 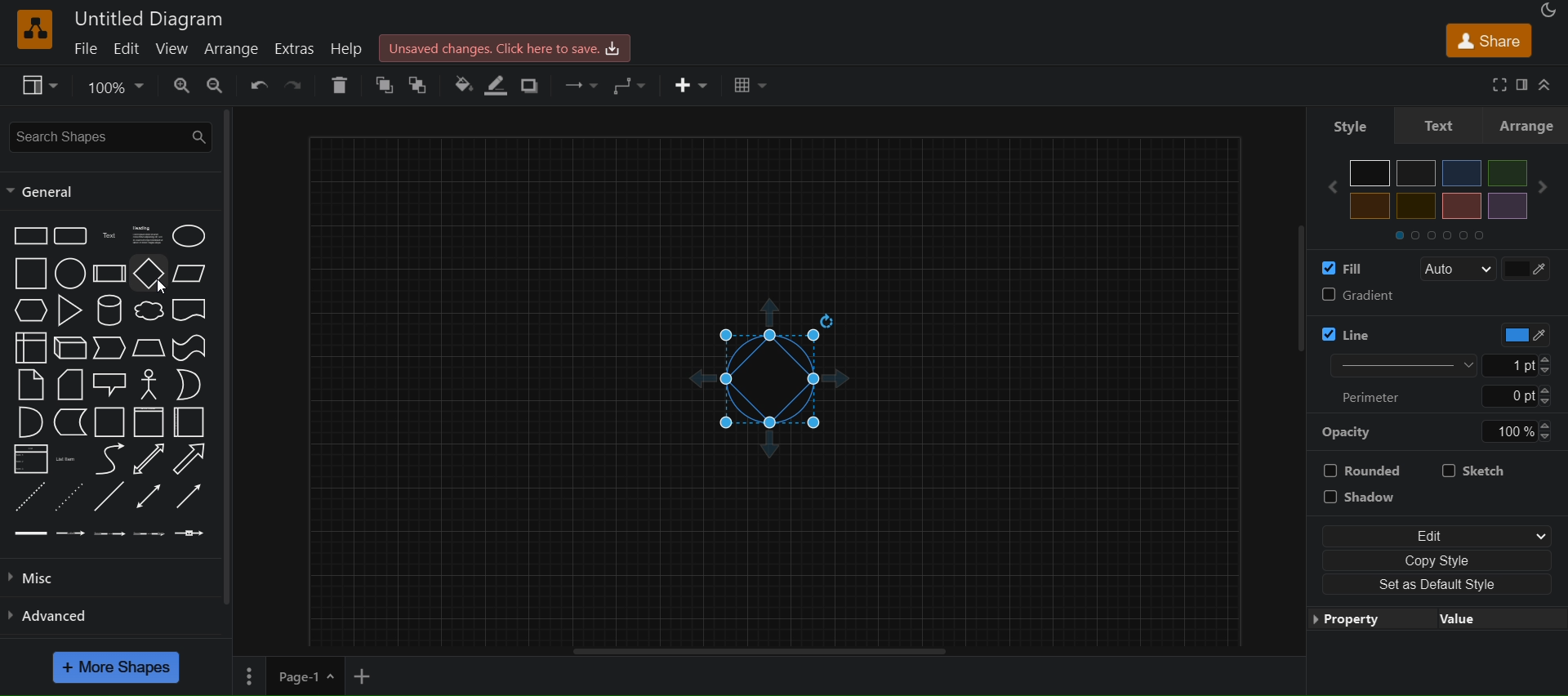 What do you see at coordinates (111, 349) in the screenshot?
I see `step` at bounding box center [111, 349].